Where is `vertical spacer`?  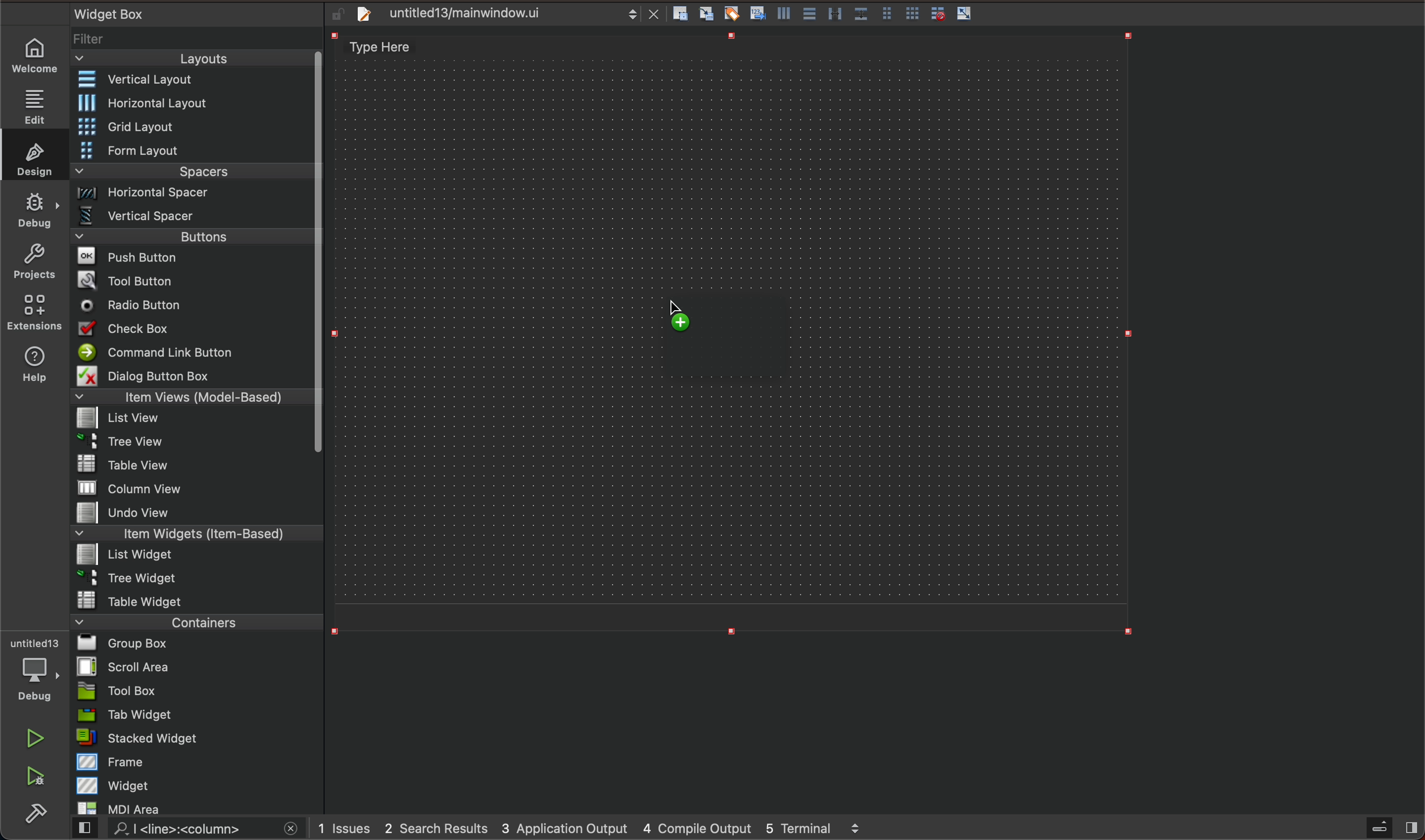
vertical spacer is located at coordinates (192, 216).